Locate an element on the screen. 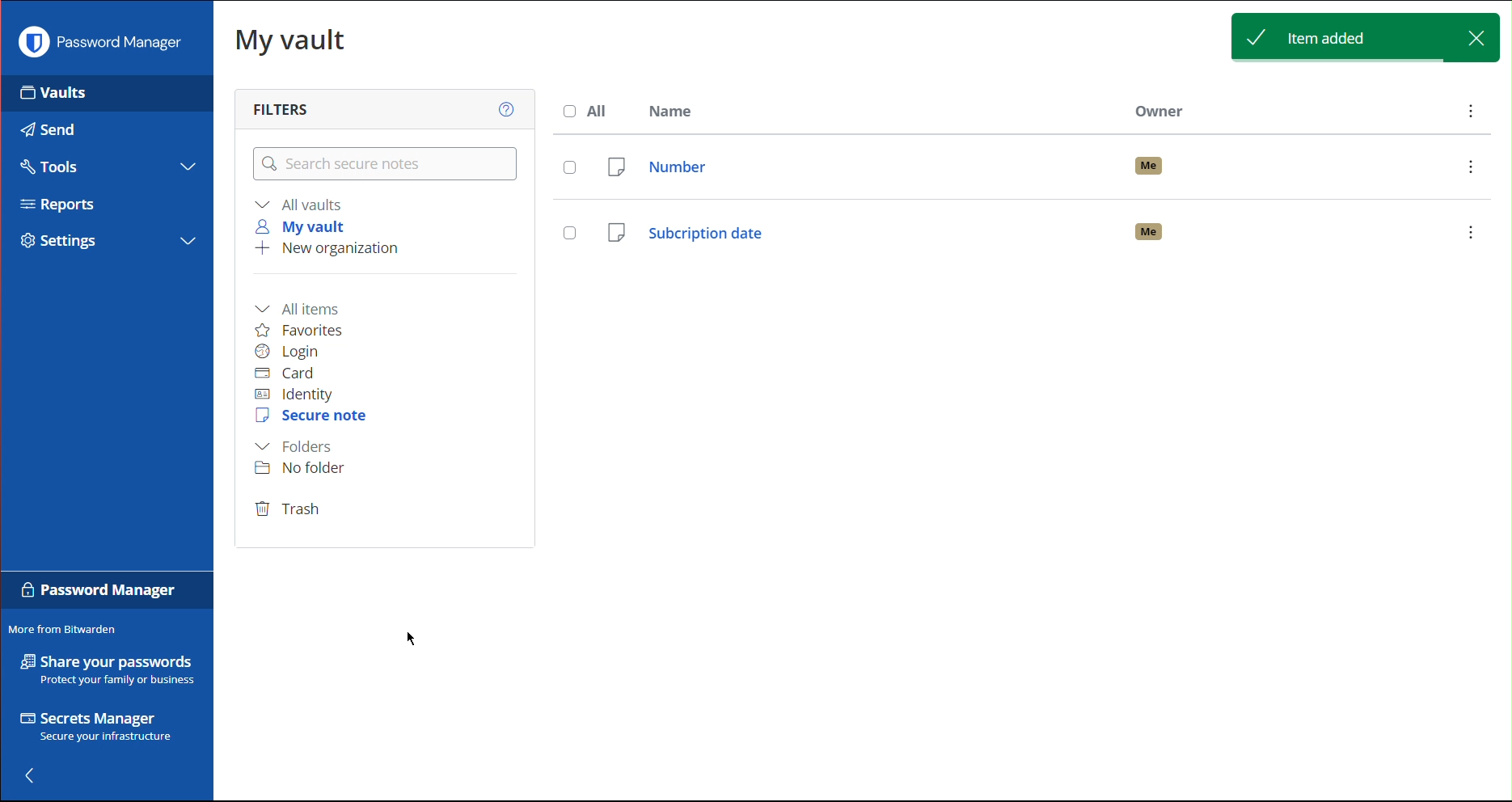  All  is located at coordinates (590, 111).